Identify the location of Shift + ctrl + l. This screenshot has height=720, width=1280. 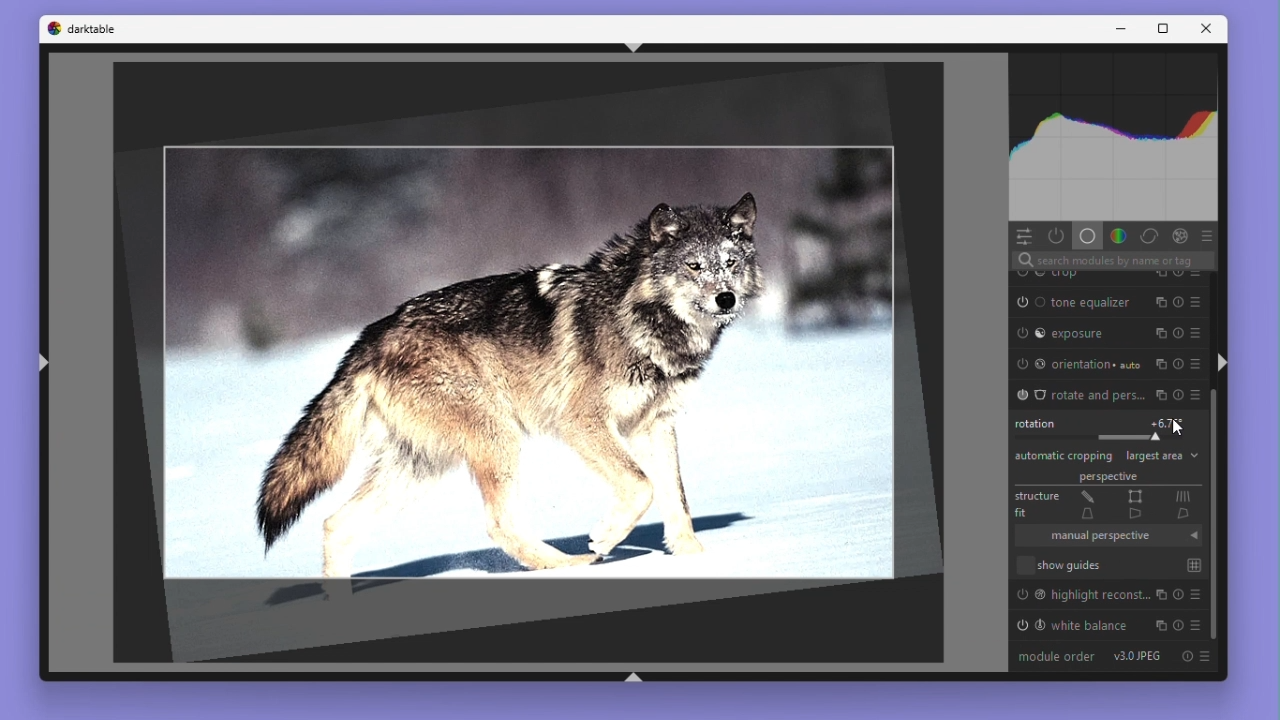
(39, 364).